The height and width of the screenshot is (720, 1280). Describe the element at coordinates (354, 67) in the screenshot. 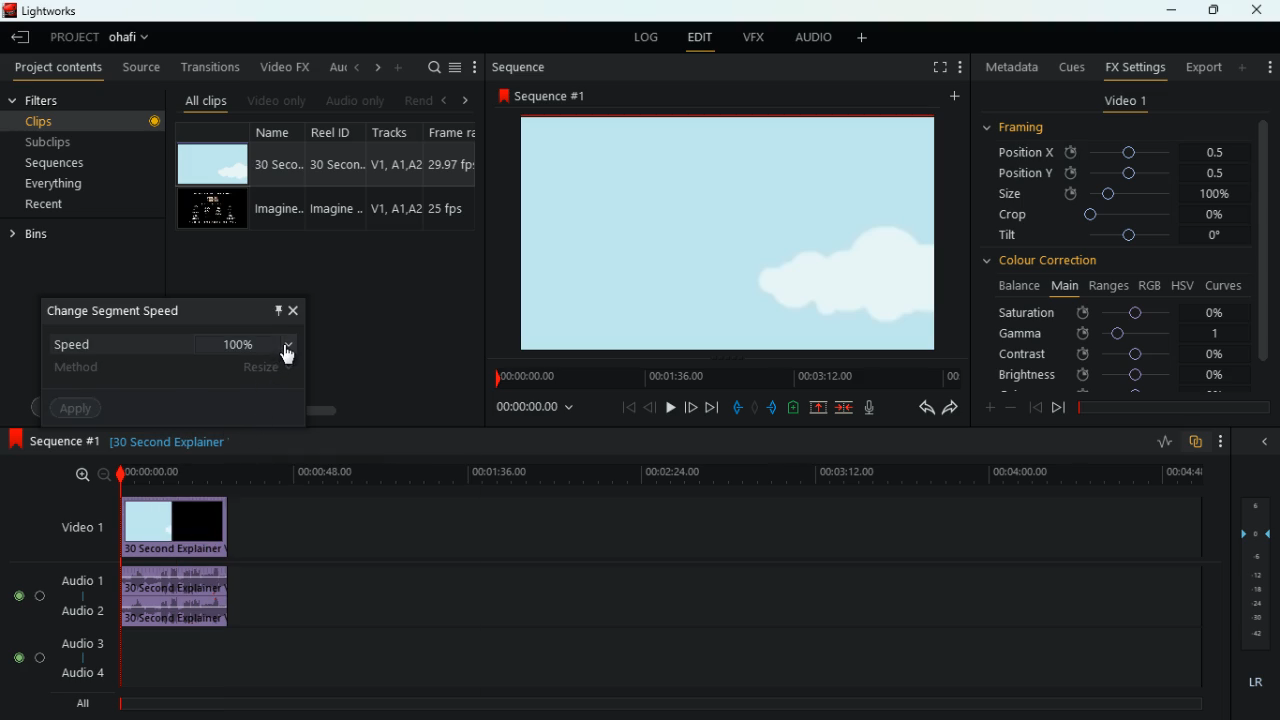

I see `left` at that location.